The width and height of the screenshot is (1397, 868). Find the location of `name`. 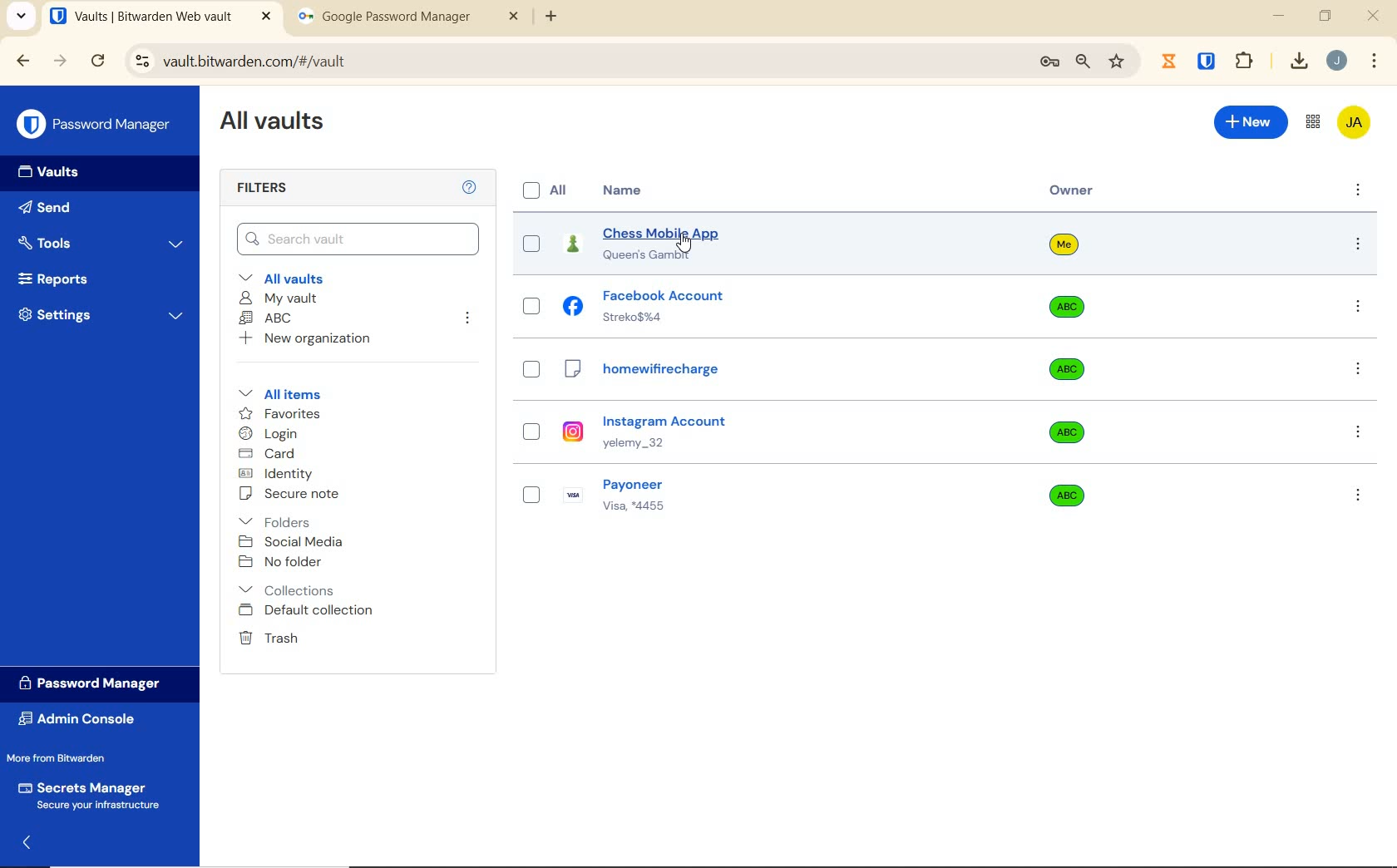

name is located at coordinates (627, 190).